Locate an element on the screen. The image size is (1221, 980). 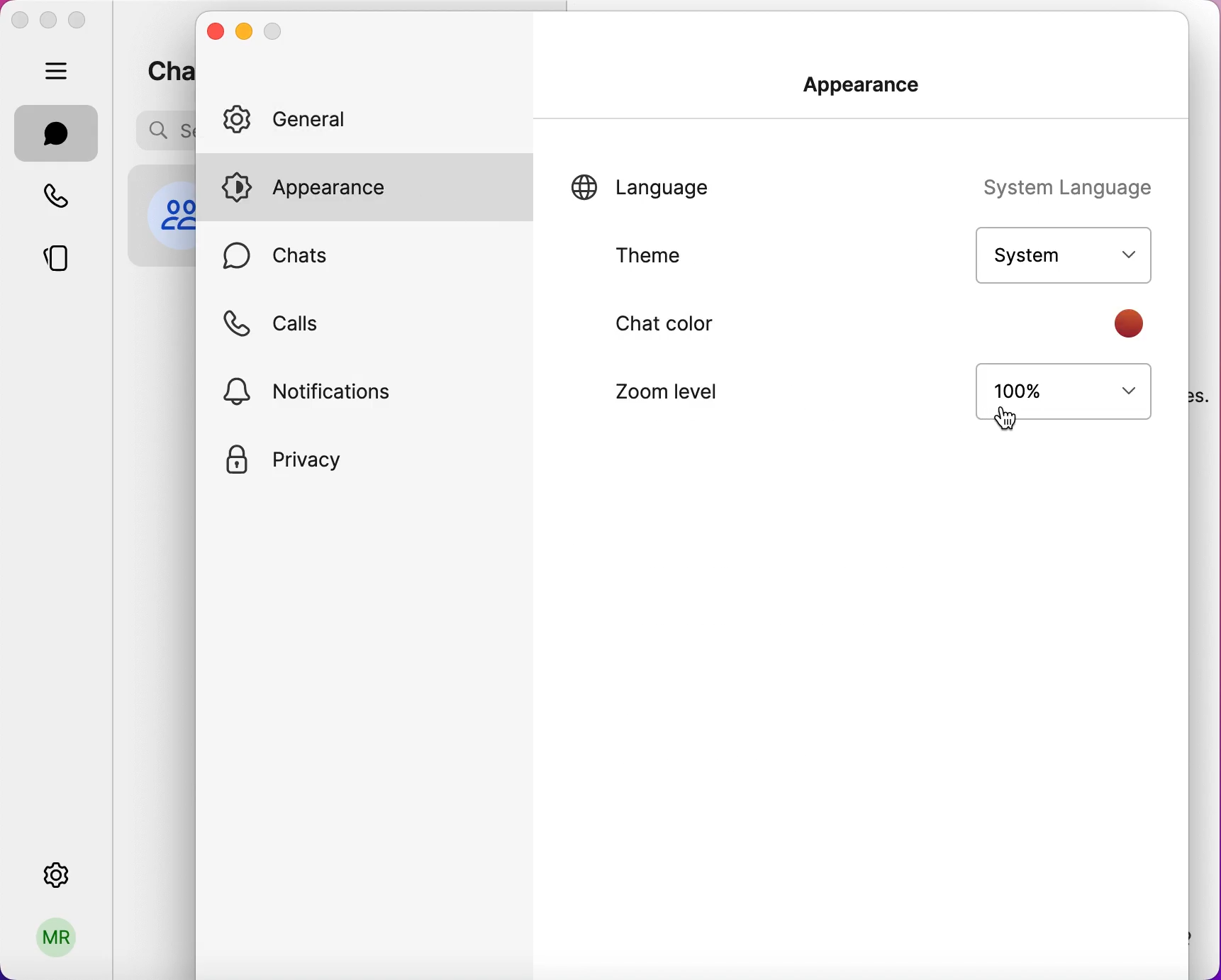
chats is located at coordinates (161, 69).